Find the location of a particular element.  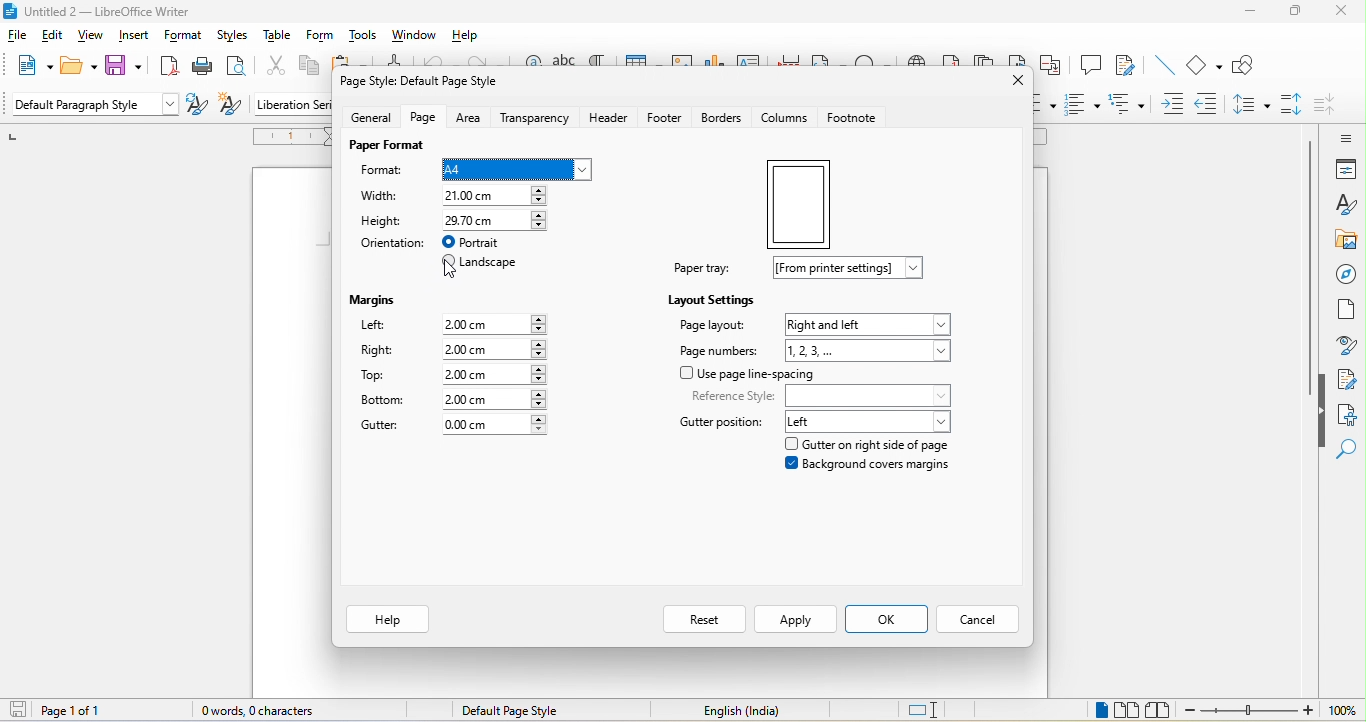

footnote is located at coordinates (854, 119).